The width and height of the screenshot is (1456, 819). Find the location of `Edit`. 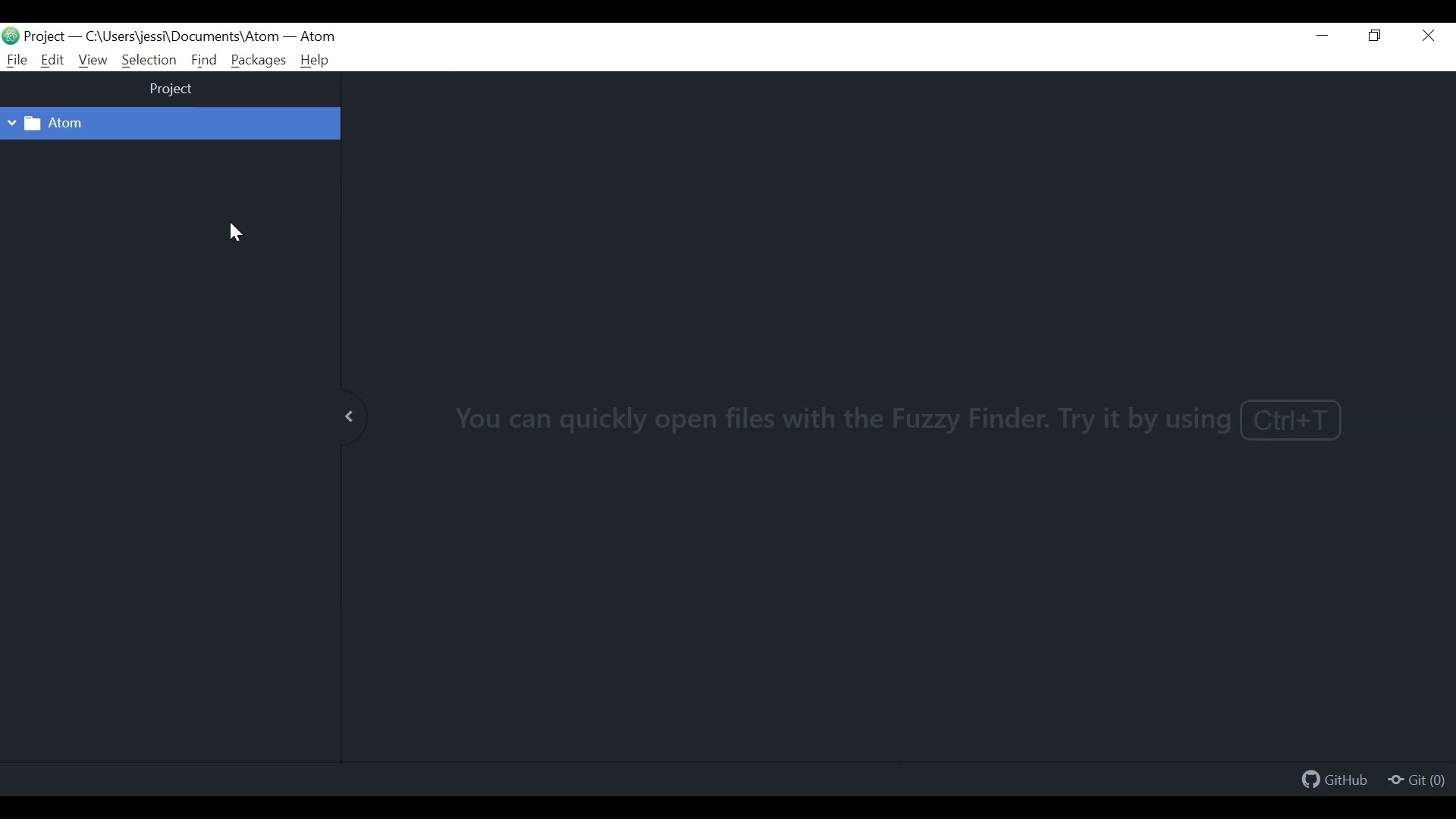

Edit is located at coordinates (53, 60).